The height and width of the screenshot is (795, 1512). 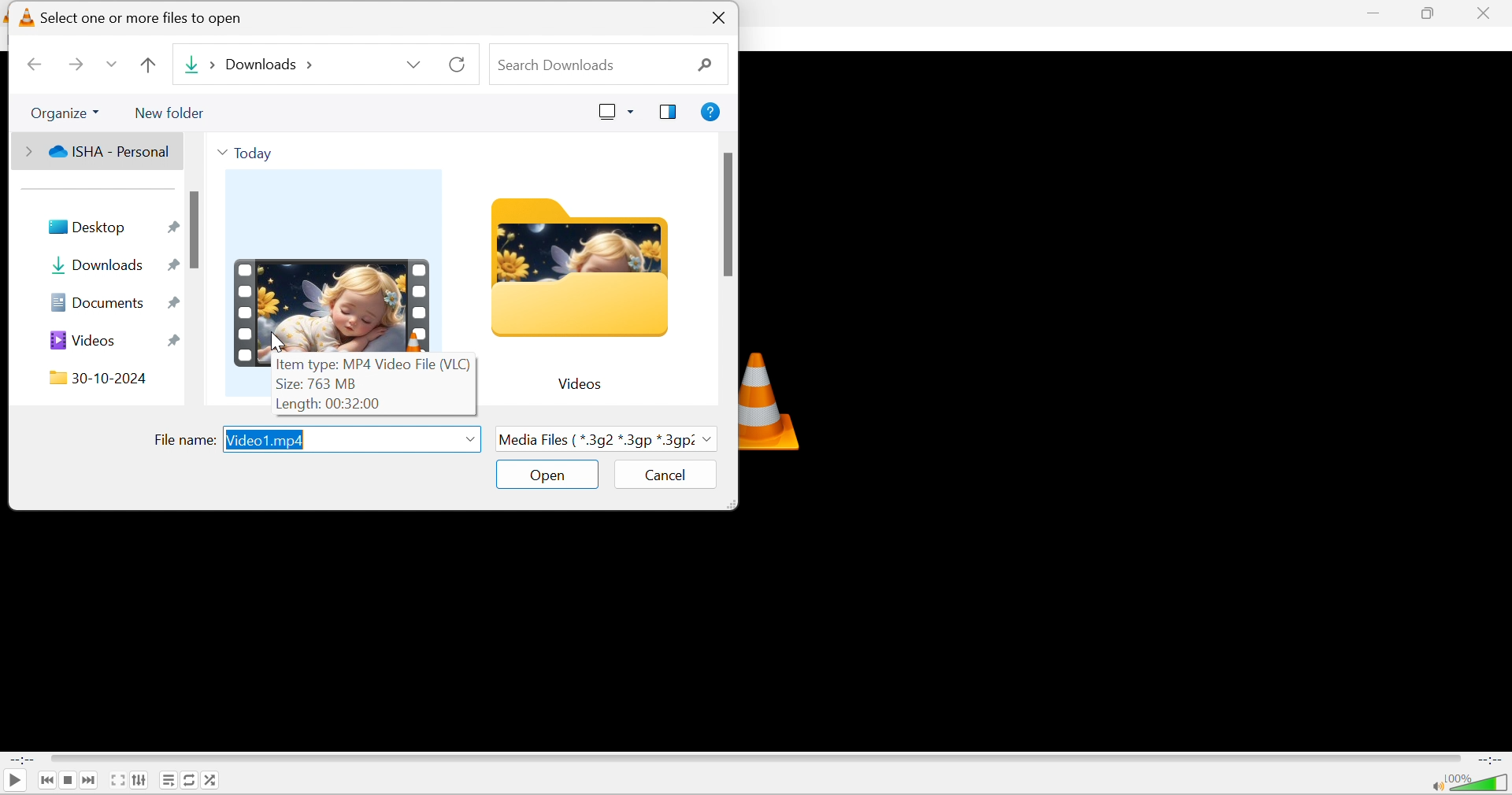 I want to click on logo, so click(x=28, y=17).